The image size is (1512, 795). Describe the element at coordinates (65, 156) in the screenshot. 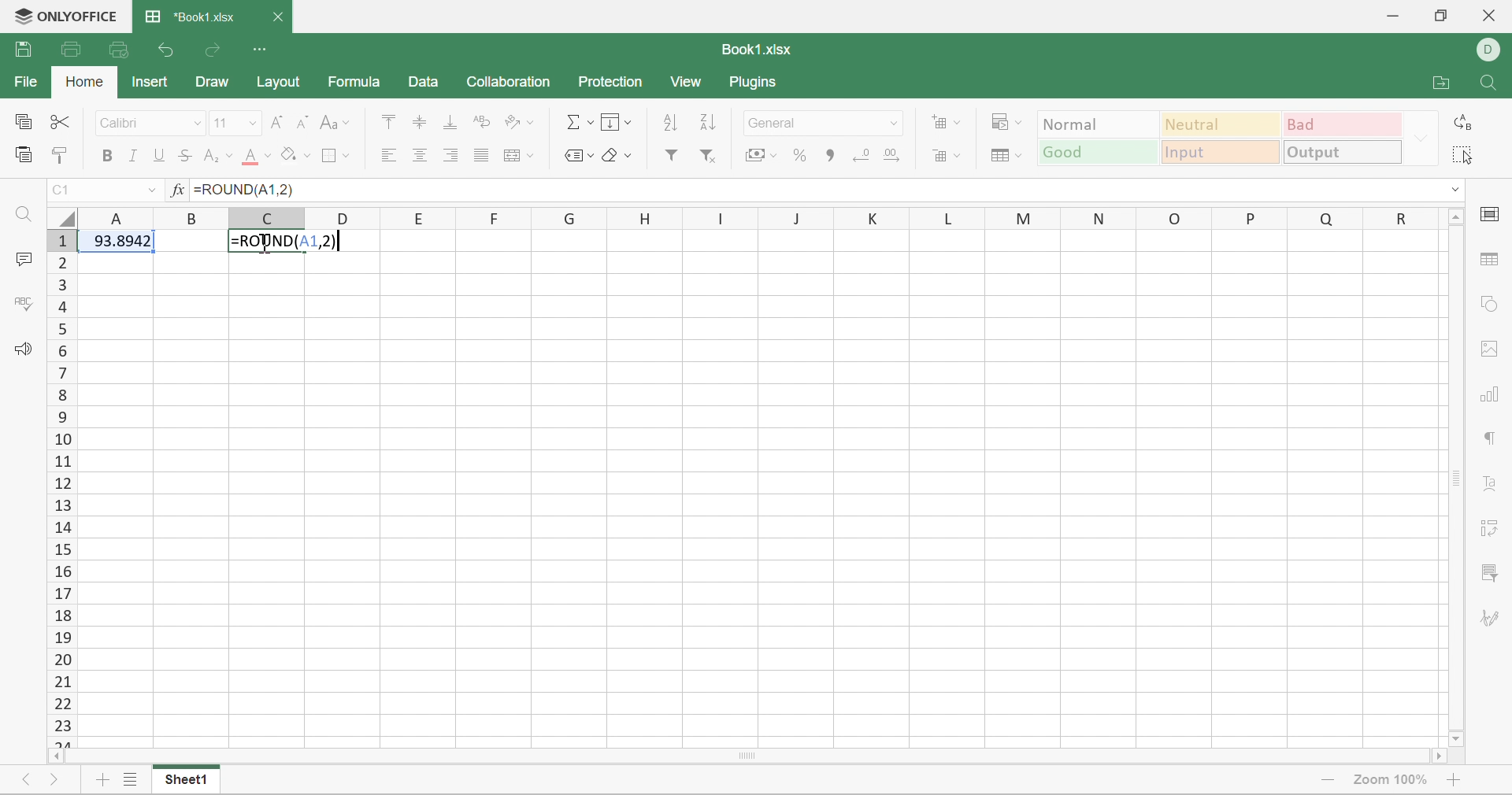

I see `Copy Style` at that location.